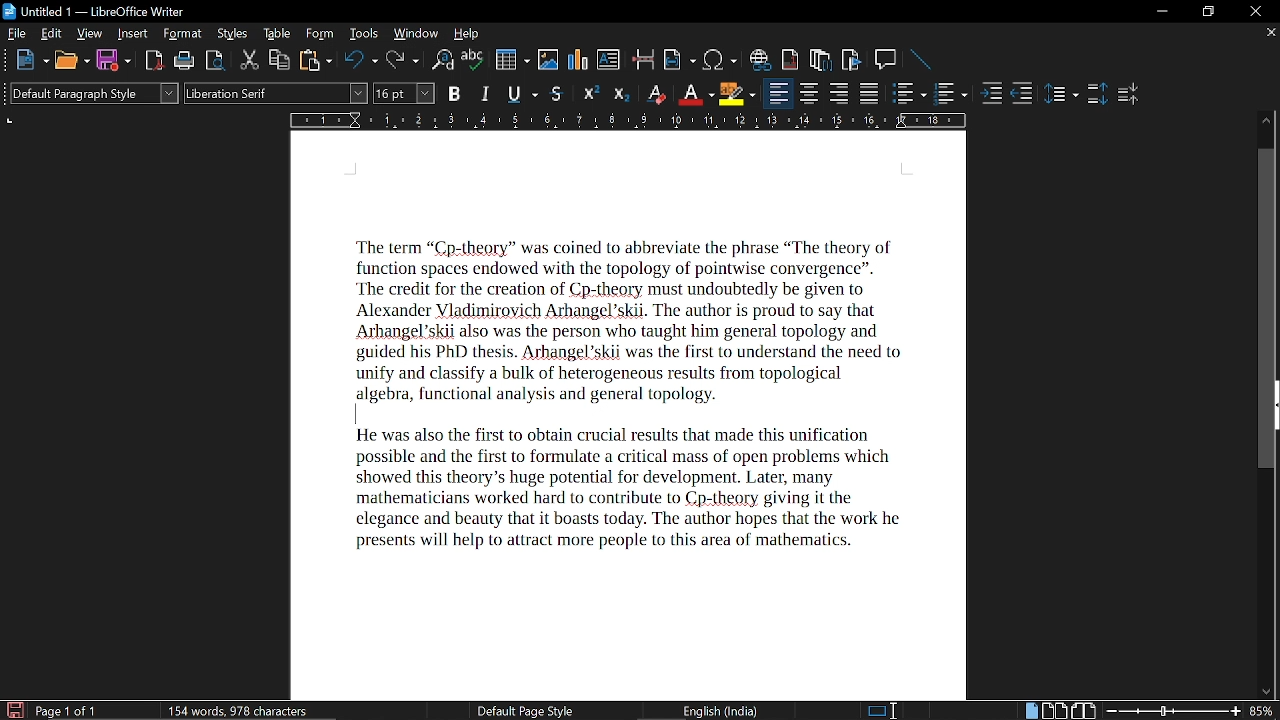  I want to click on Save, so click(114, 61).